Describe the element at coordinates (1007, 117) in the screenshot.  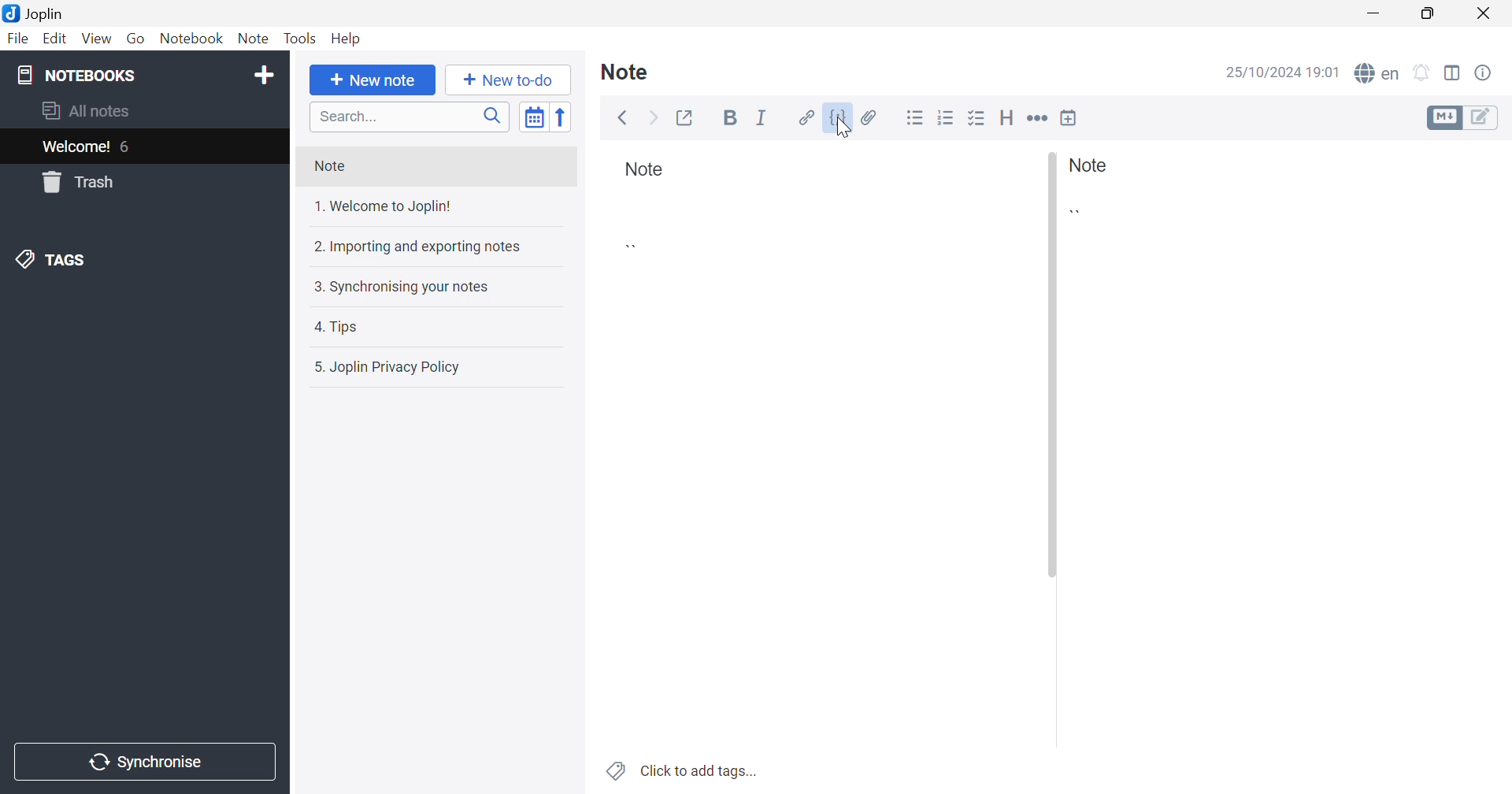
I see `Heading` at that location.